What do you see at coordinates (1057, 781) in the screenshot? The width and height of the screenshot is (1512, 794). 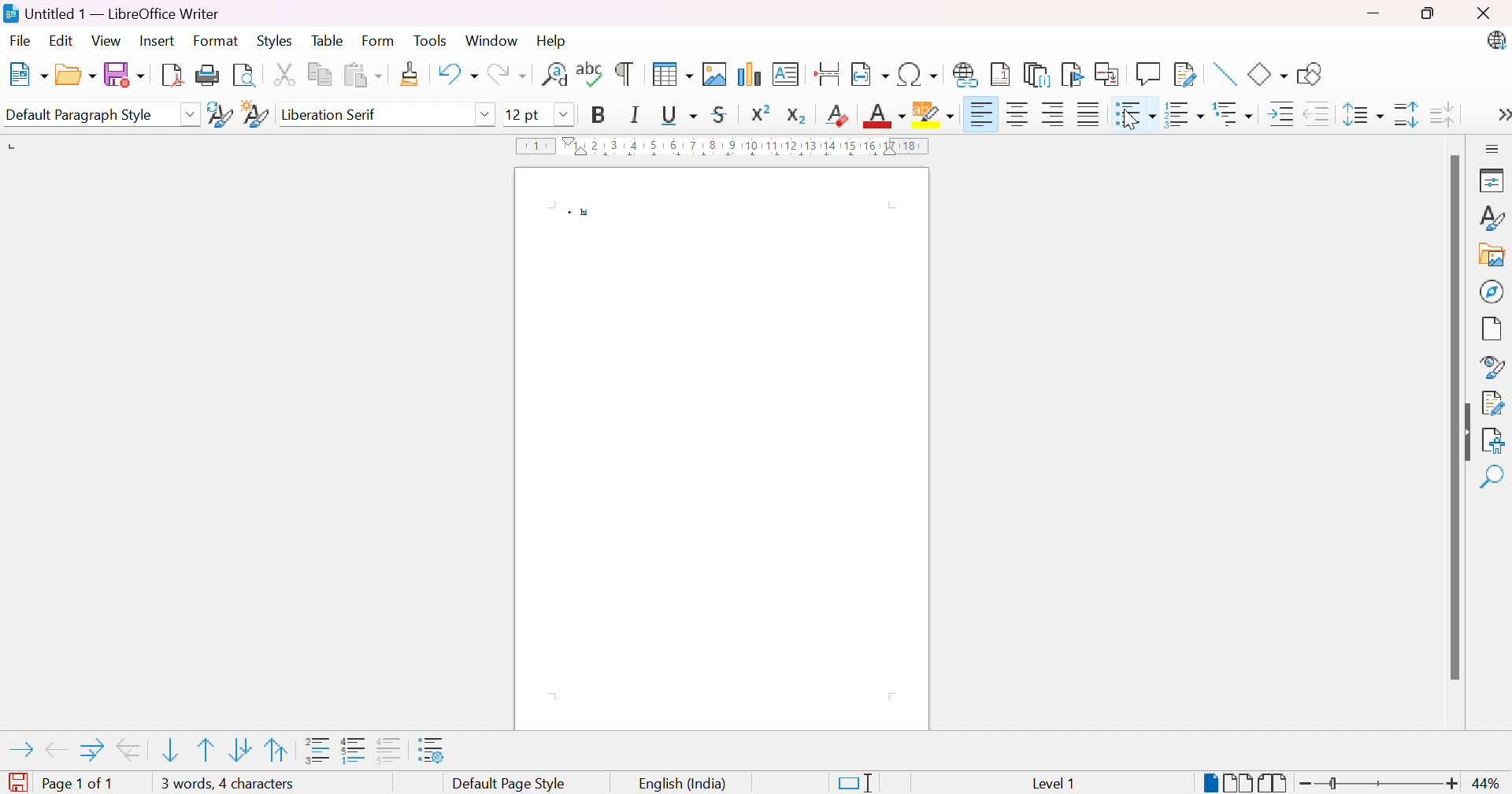 I see `level 1` at bounding box center [1057, 781].